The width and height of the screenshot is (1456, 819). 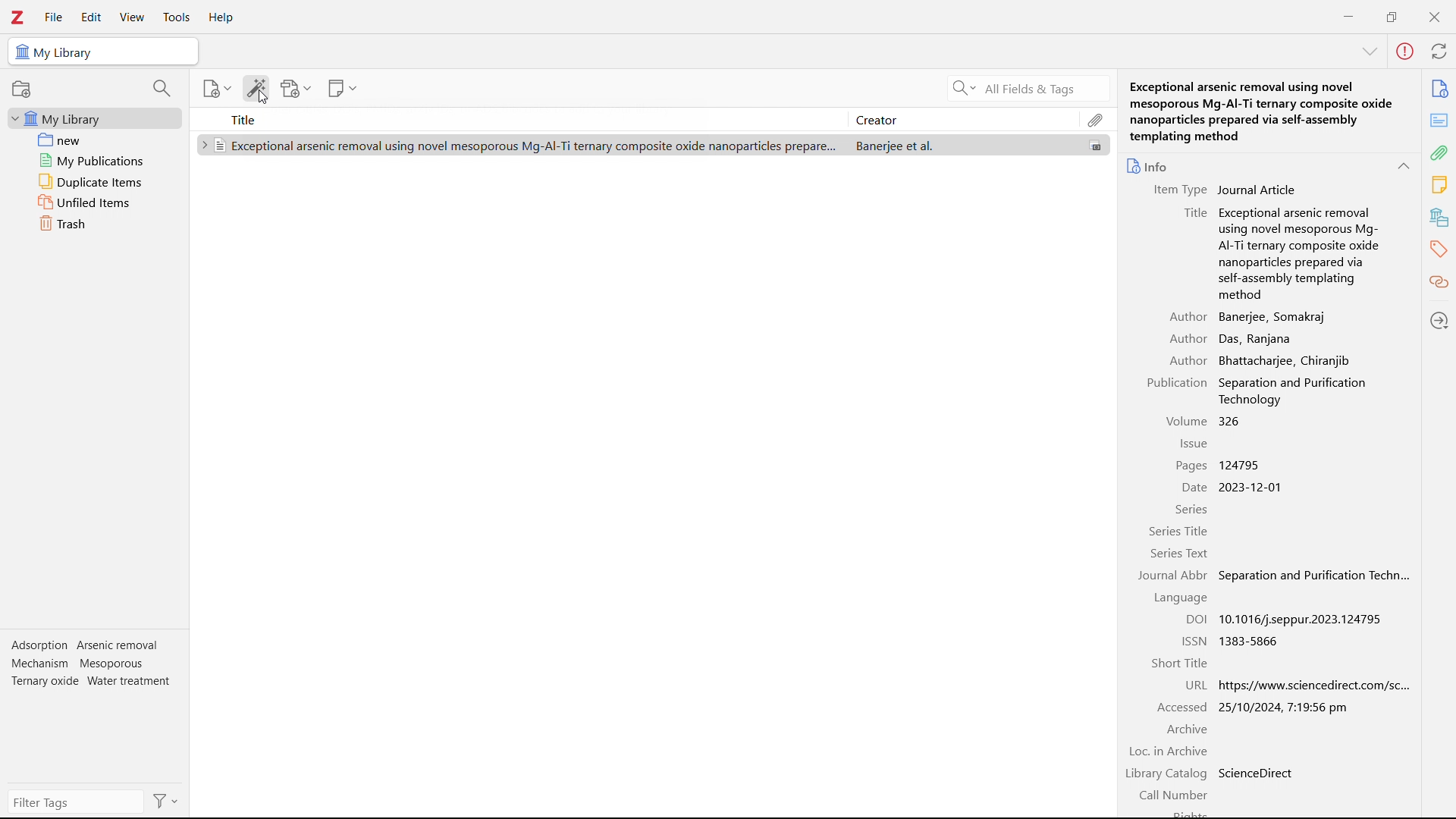 I want to click on maximize, so click(x=1392, y=15).